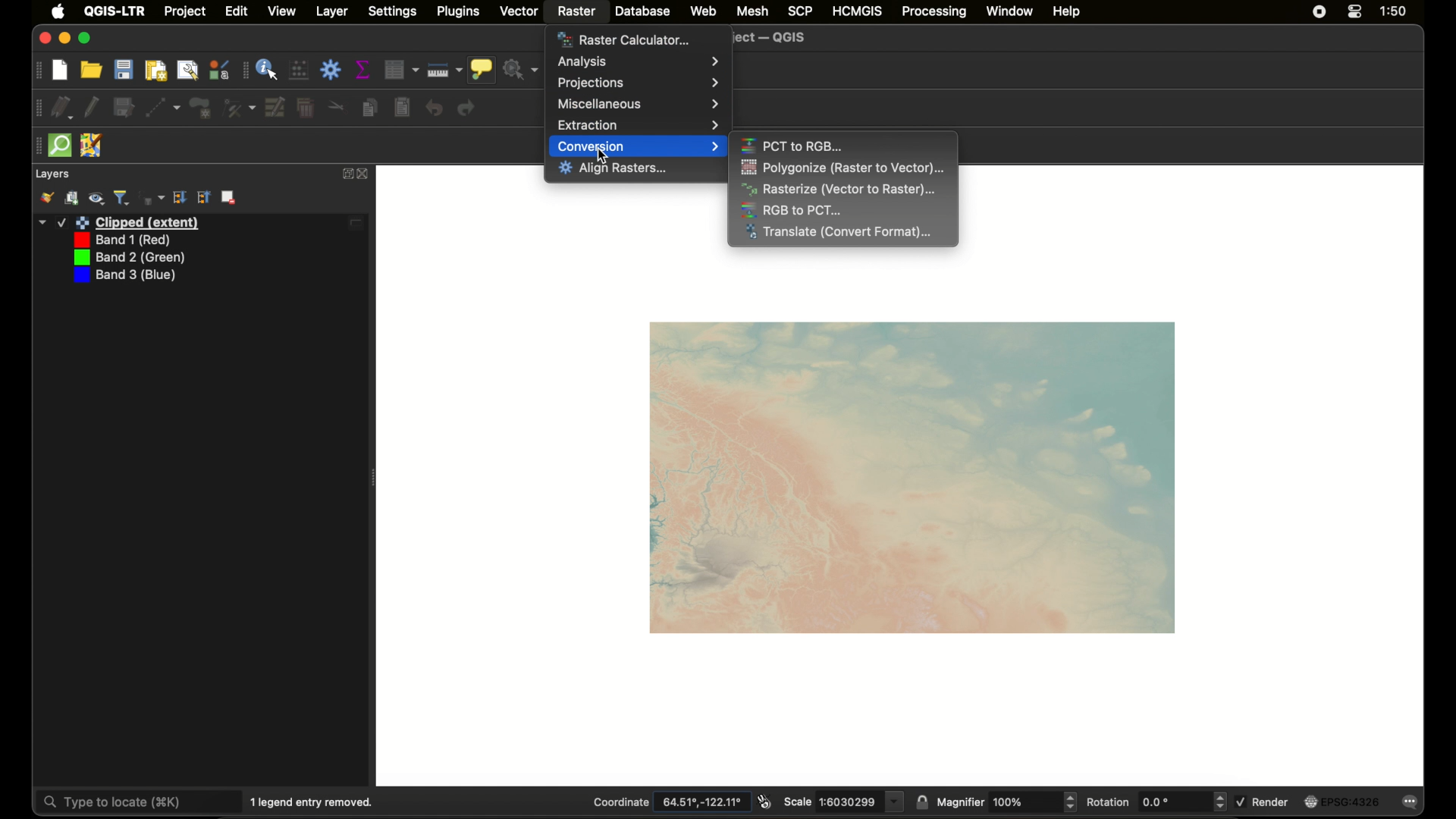  What do you see at coordinates (841, 233) in the screenshot?
I see `translate` at bounding box center [841, 233].